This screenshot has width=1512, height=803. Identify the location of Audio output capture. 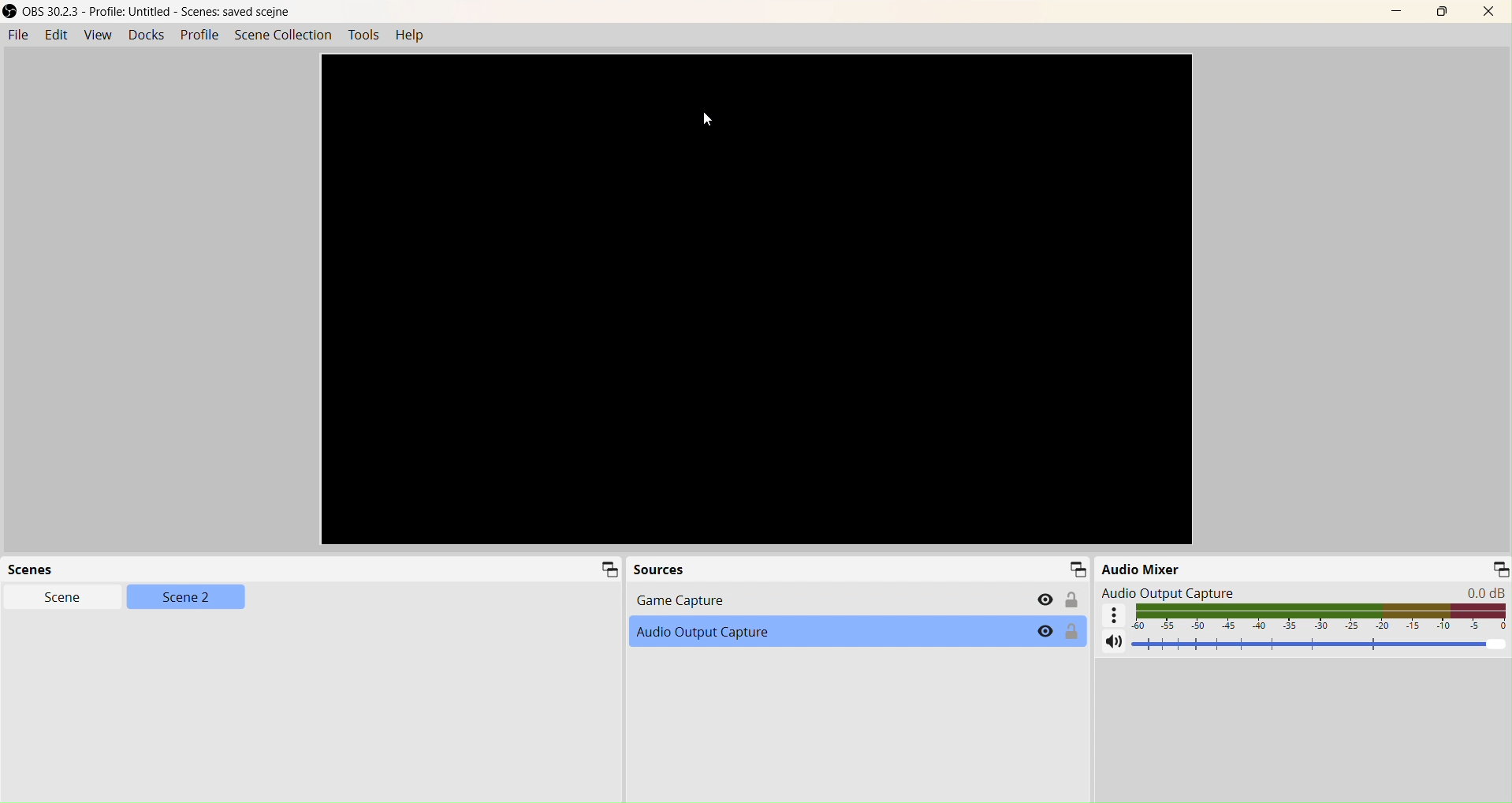
(1298, 591).